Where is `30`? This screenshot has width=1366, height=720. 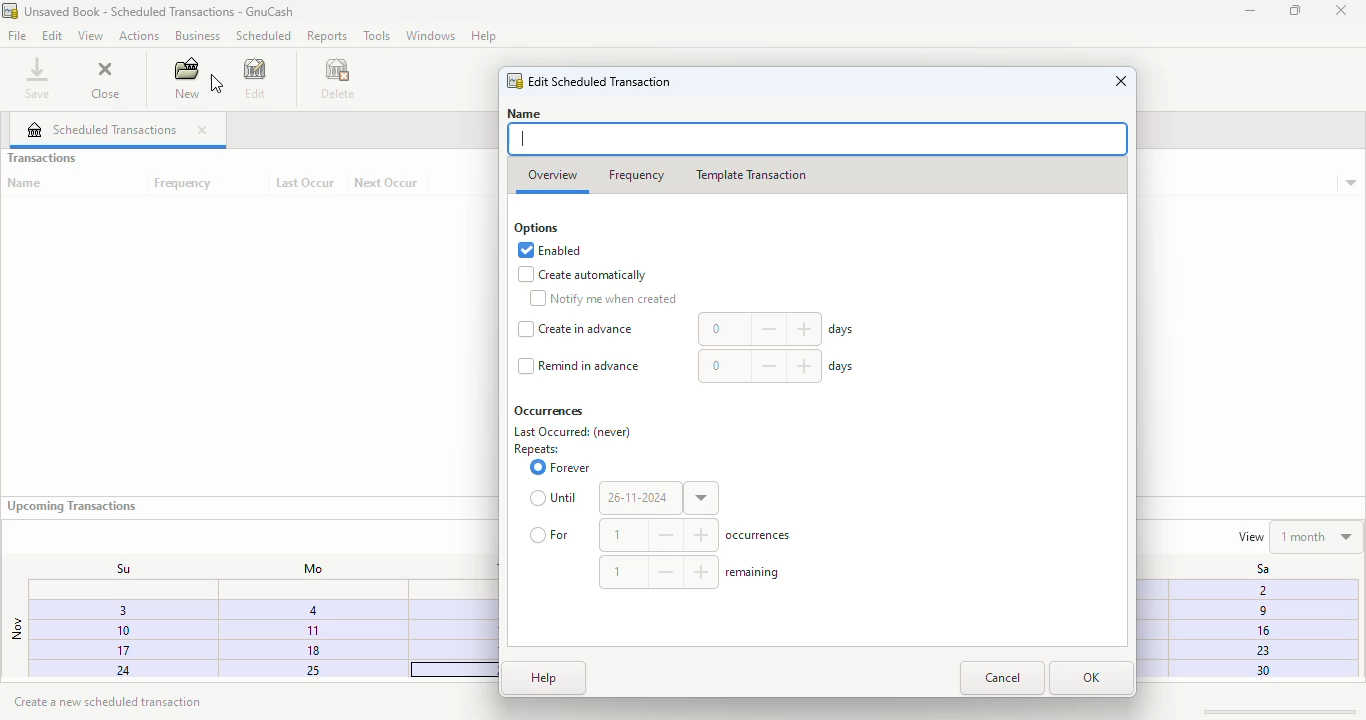
30 is located at coordinates (1260, 671).